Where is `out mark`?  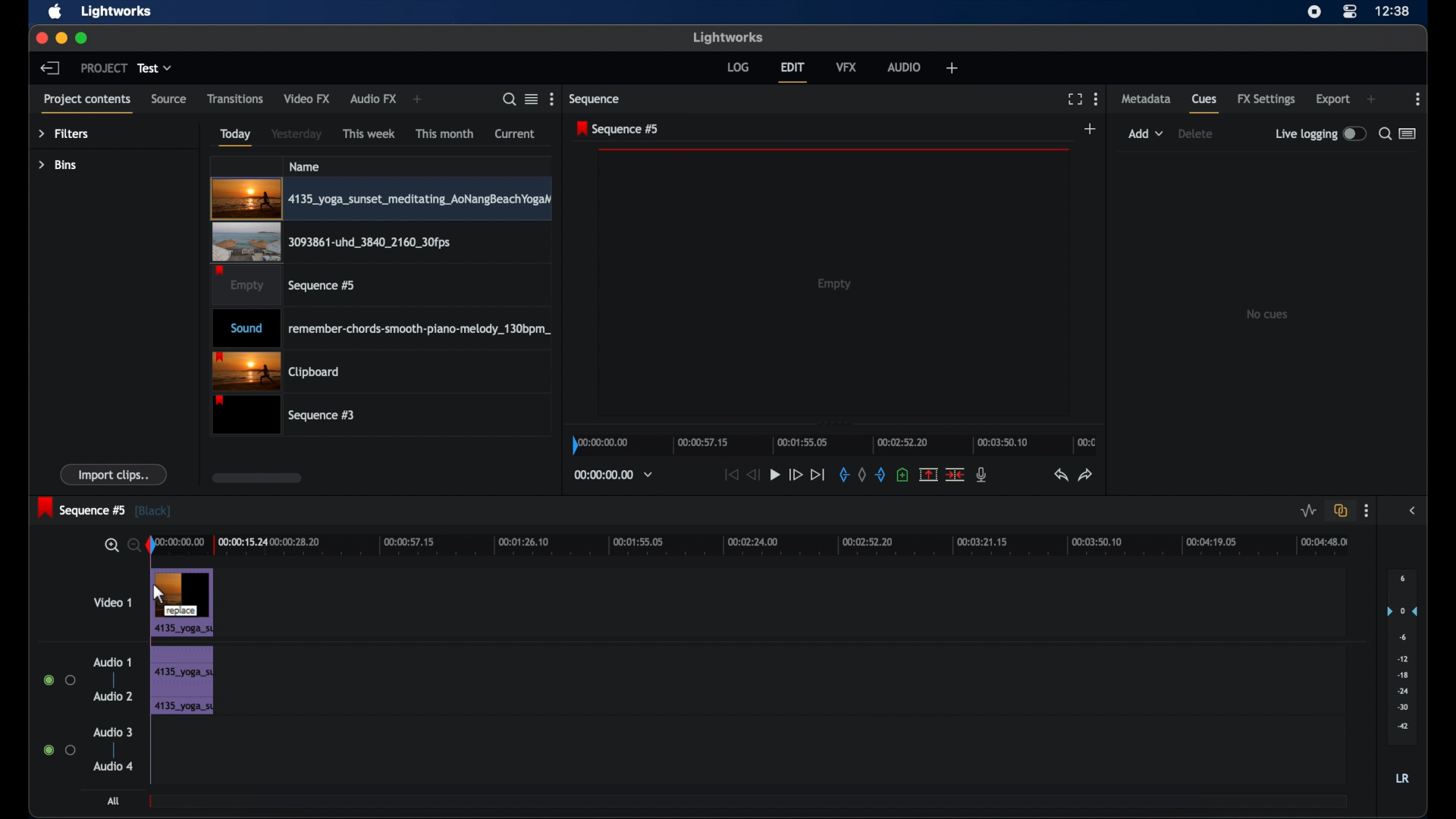
out mark is located at coordinates (879, 474).